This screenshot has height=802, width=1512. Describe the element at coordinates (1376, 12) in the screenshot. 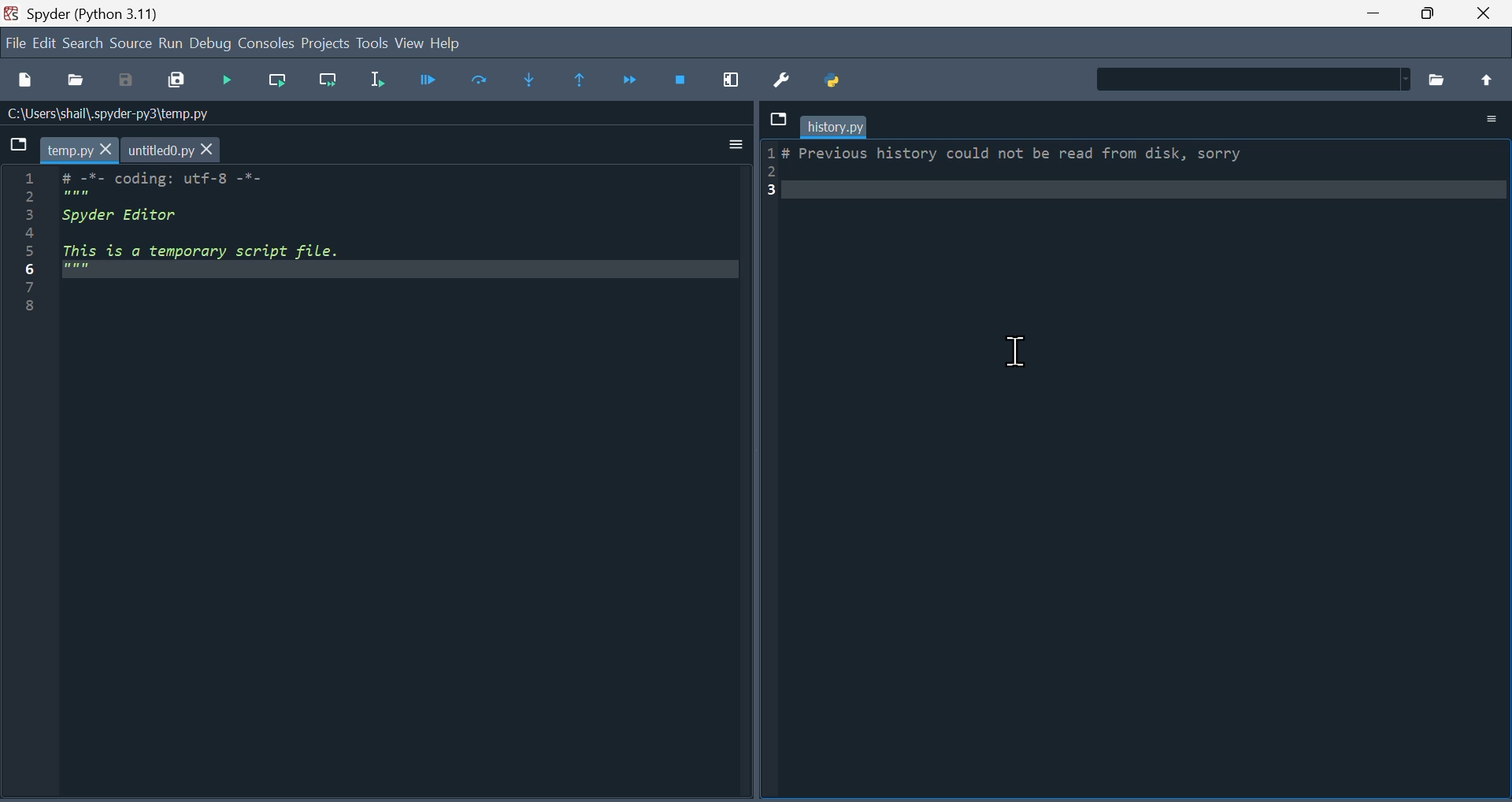

I see `minimie` at that location.